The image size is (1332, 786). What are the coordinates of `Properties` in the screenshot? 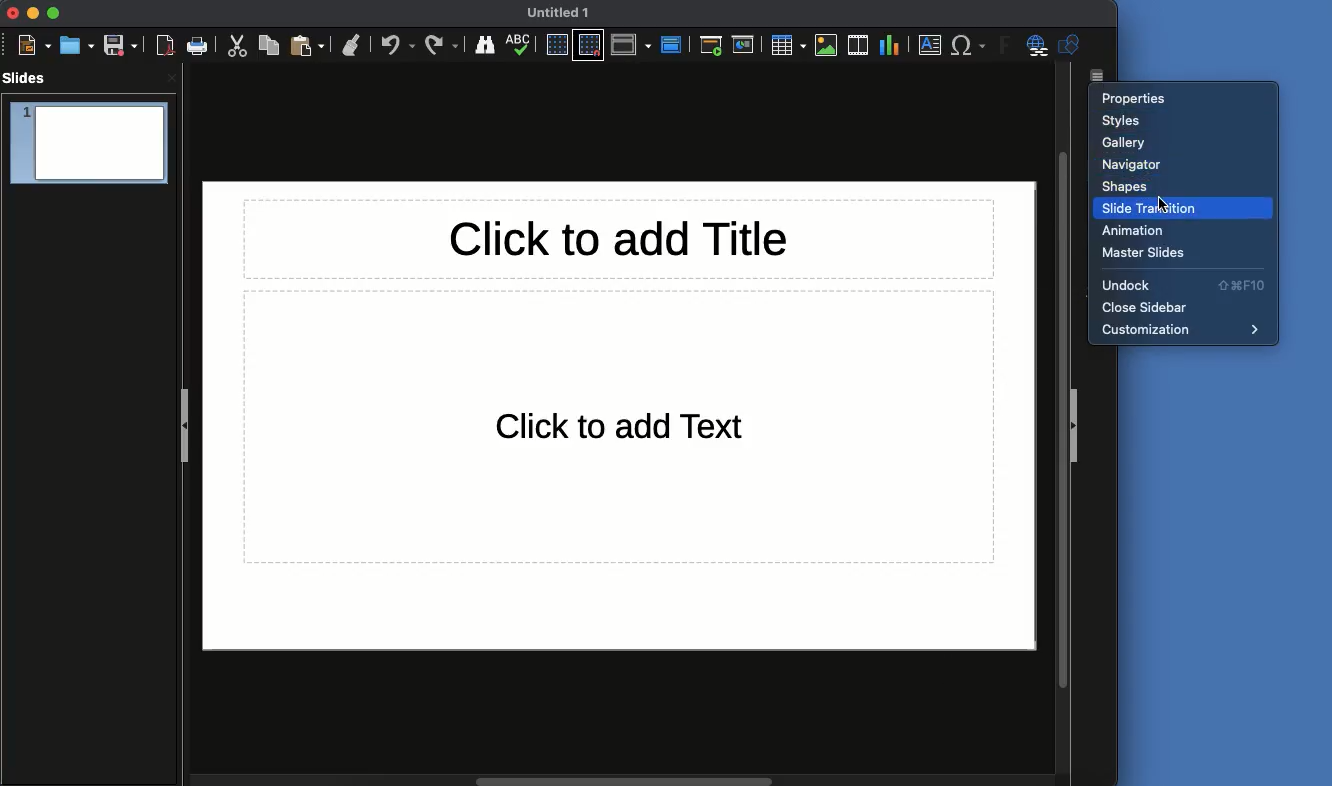 It's located at (1140, 101).